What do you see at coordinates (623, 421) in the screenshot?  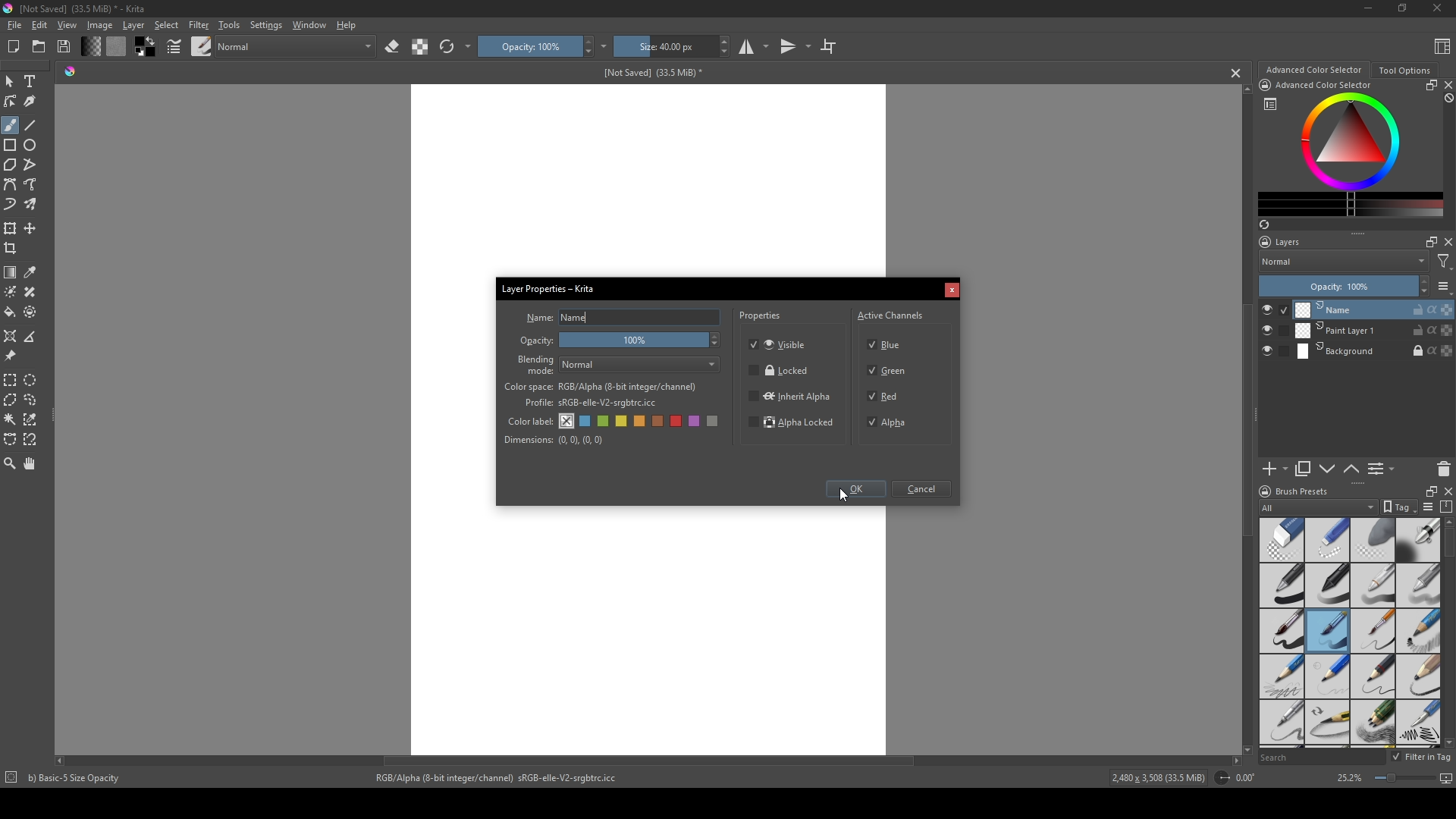 I see `lemon` at bounding box center [623, 421].